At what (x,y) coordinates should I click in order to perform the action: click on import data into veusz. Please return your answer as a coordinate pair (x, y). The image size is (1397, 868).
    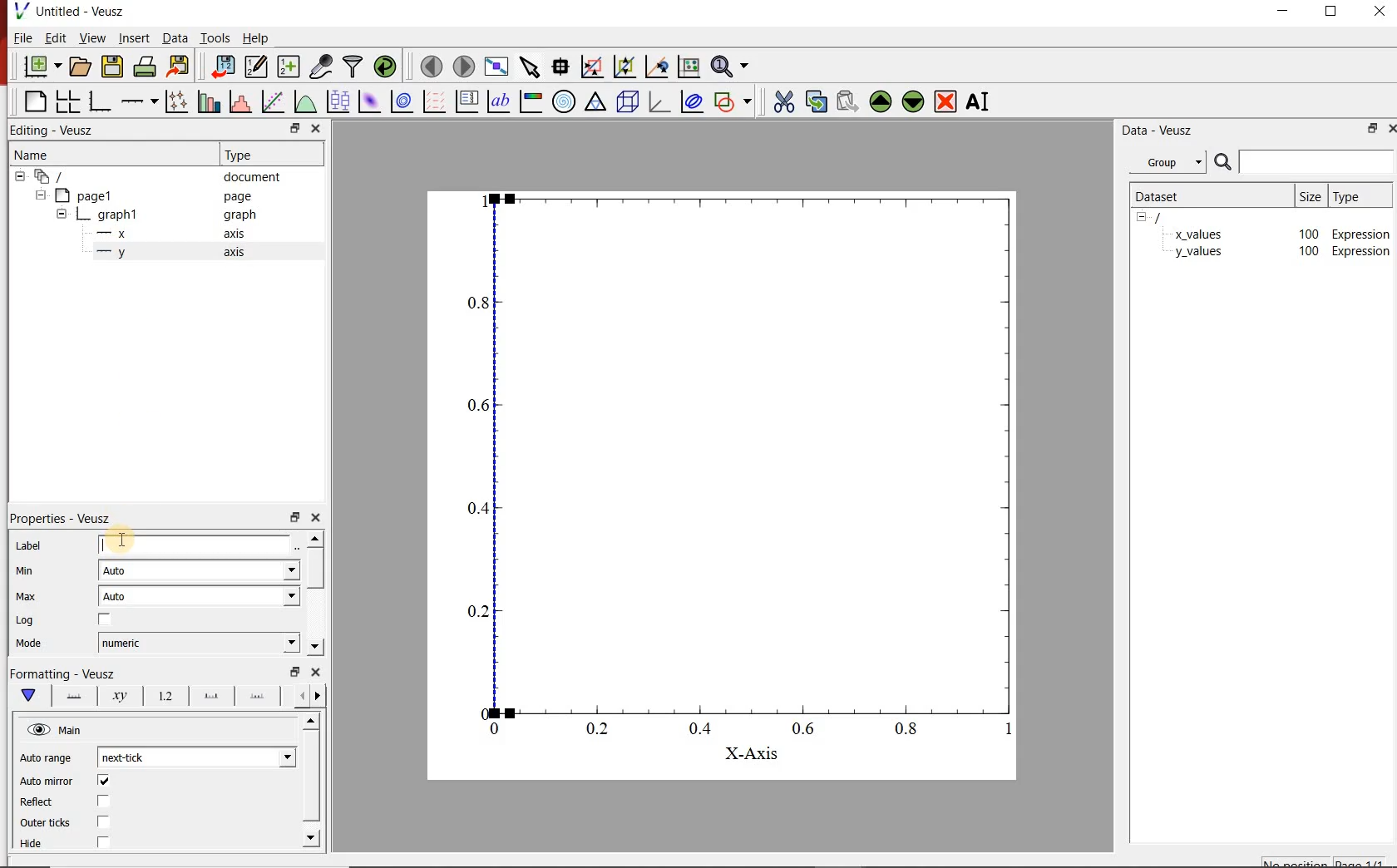
    Looking at the image, I should click on (223, 67).